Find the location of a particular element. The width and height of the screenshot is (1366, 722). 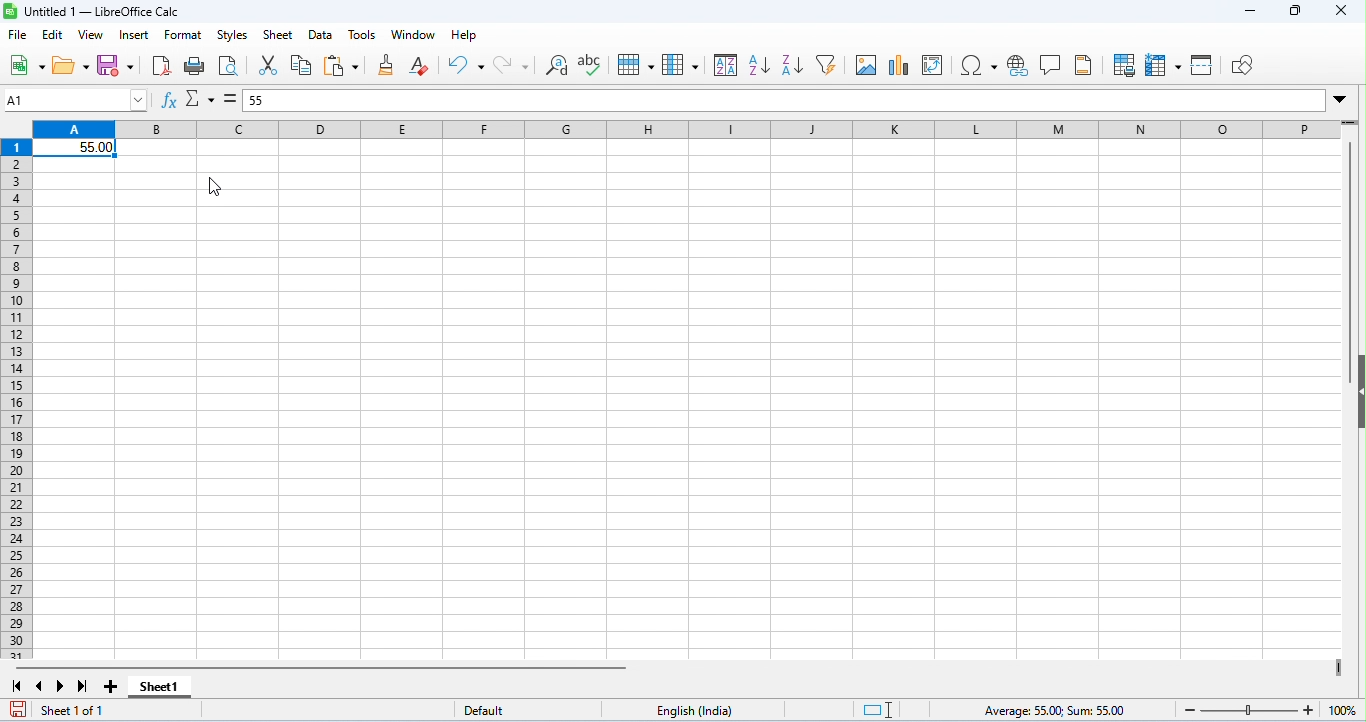

filter is located at coordinates (827, 65).